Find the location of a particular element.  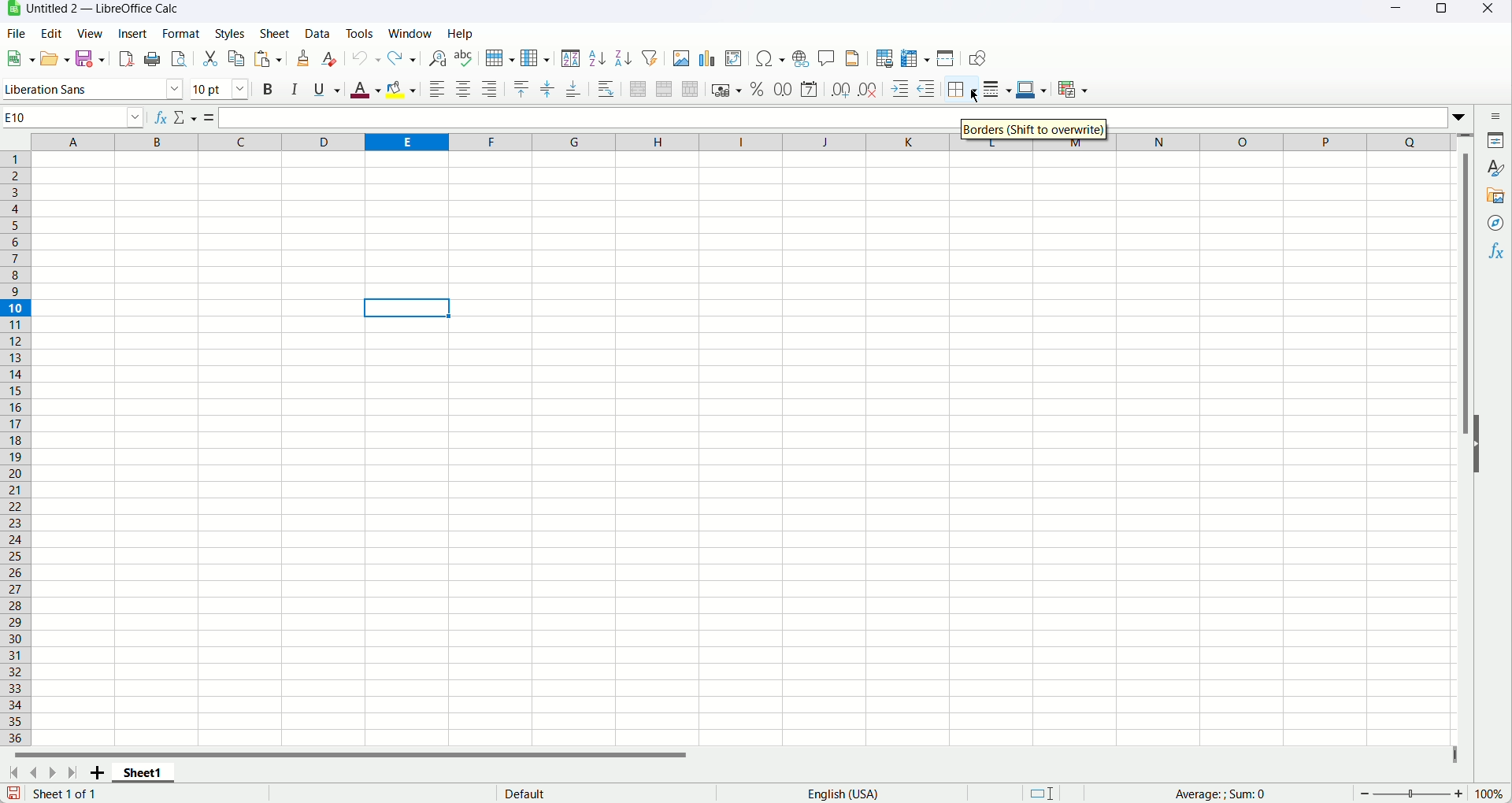

Copy is located at coordinates (237, 57).